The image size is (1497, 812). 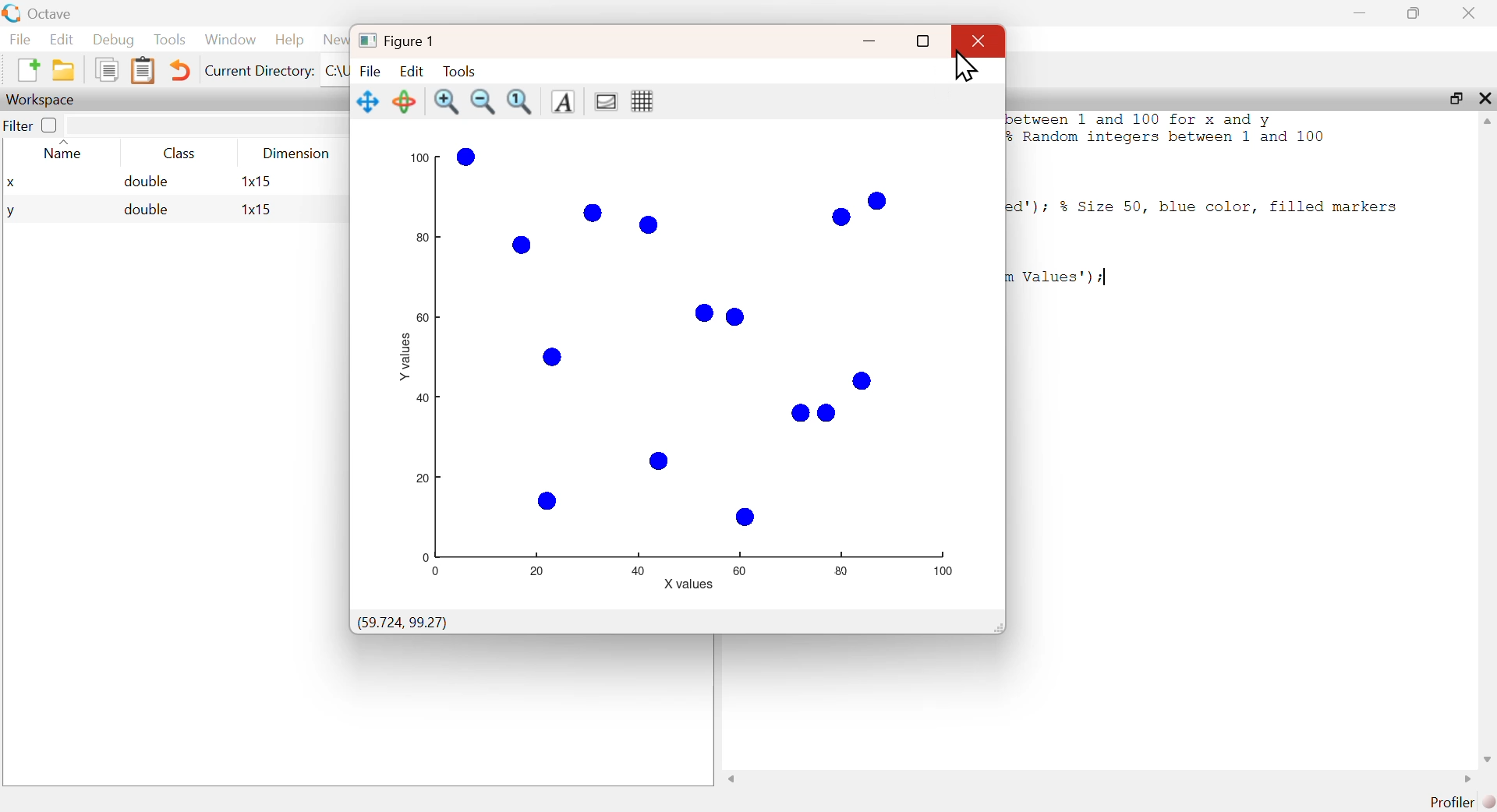 What do you see at coordinates (62, 39) in the screenshot?
I see `Edit` at bounding box center [62, 39].